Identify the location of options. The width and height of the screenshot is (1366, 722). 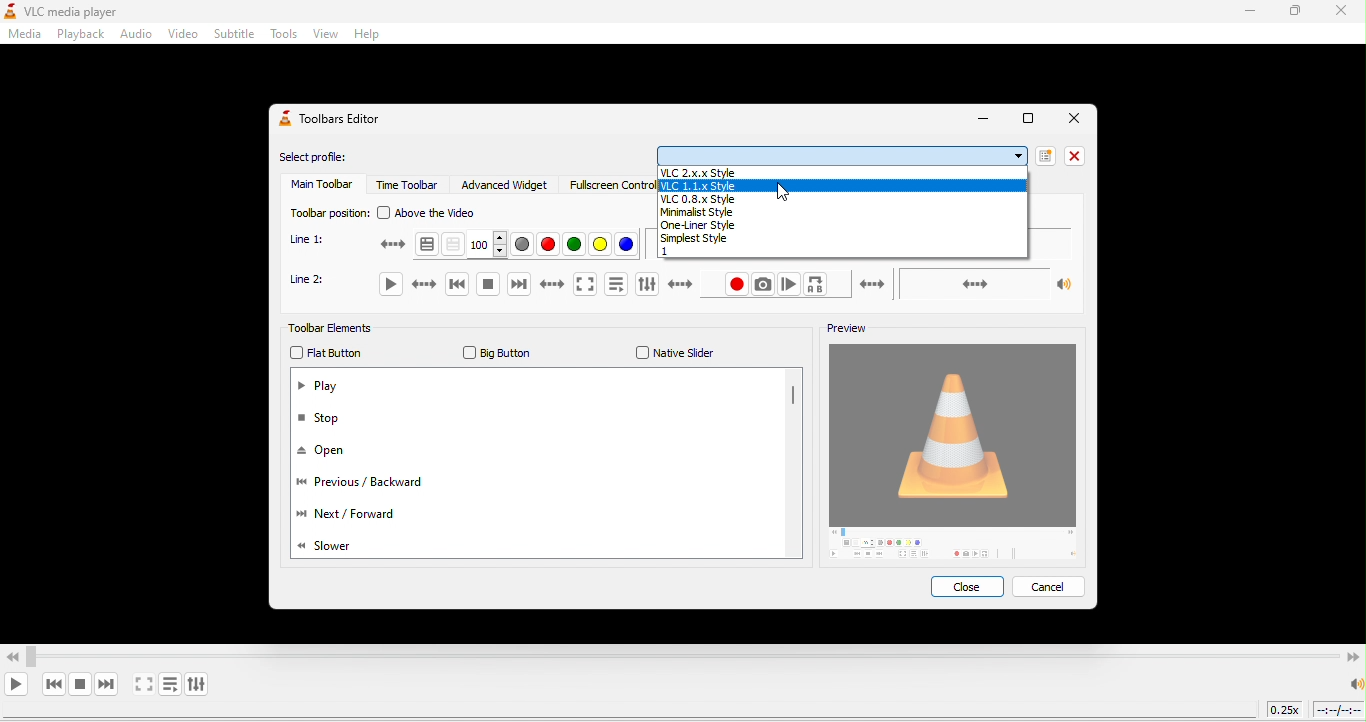
(840, 156).